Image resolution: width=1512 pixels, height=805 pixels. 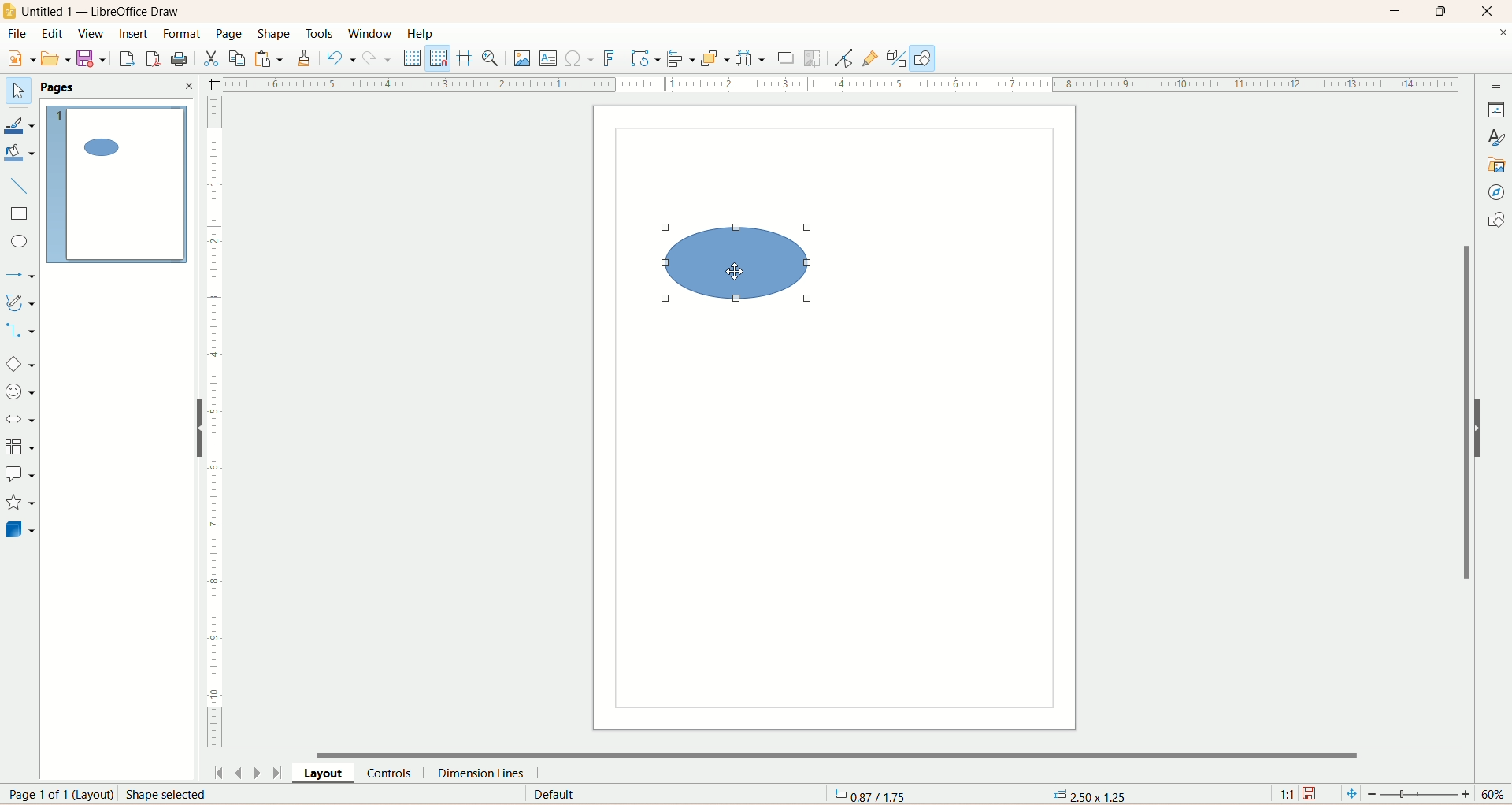 I want to click on line color, so click(x=21, y=122).